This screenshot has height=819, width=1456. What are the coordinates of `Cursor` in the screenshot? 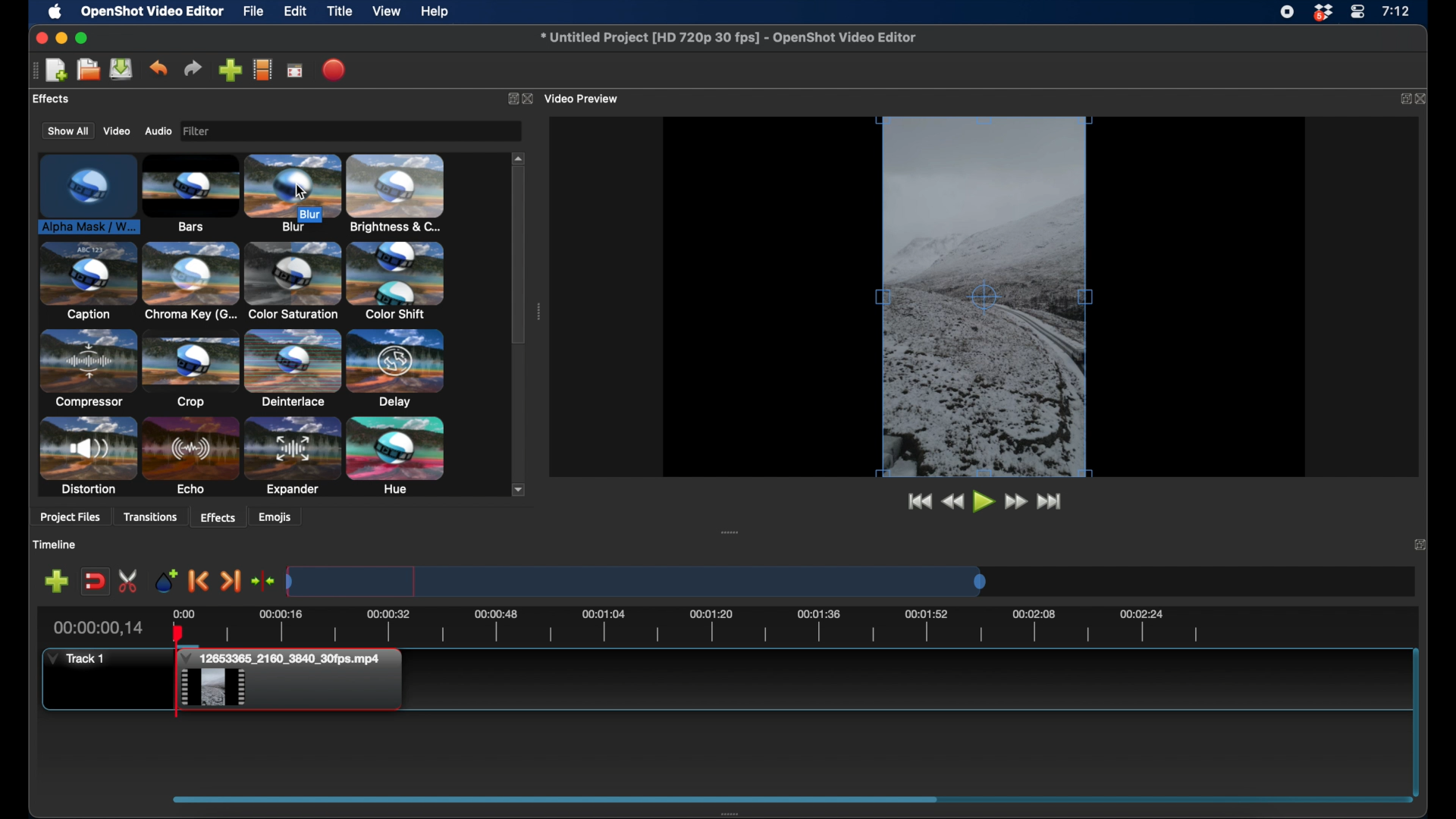 It's located at (301, 192).